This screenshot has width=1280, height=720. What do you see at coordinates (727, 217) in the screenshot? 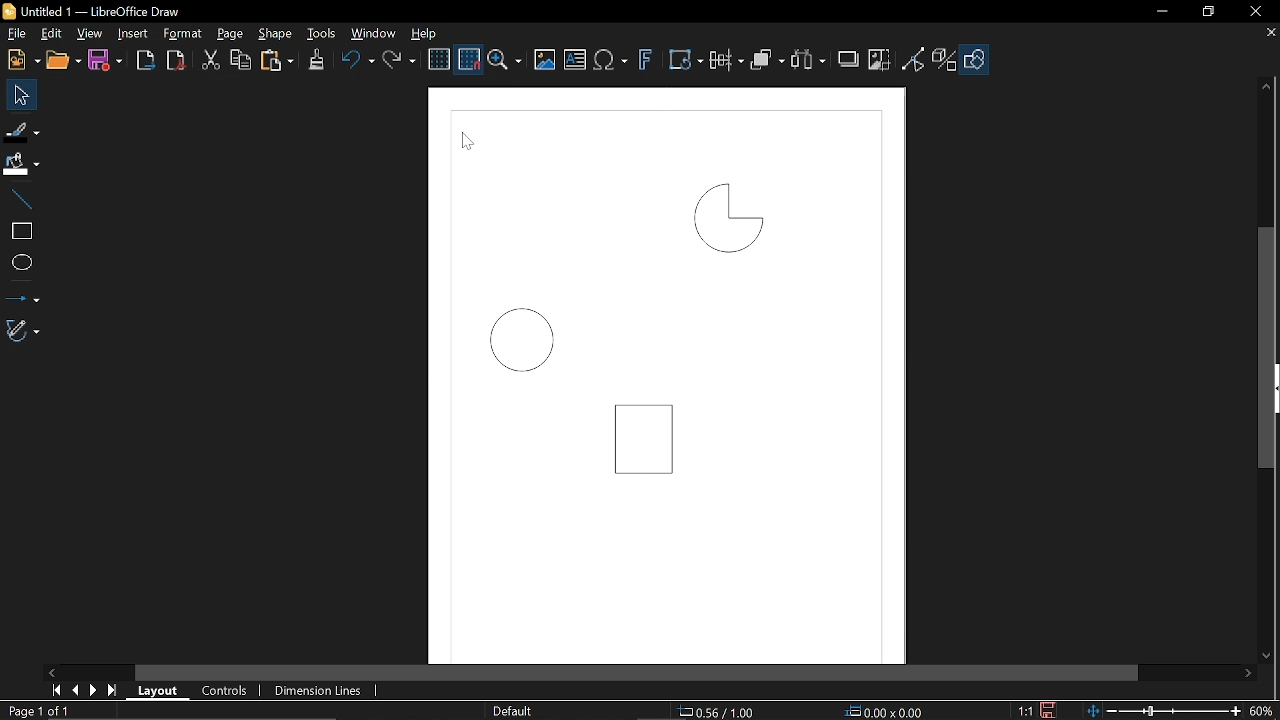
I see `Quarter circle` at bounding box center [727, 217].